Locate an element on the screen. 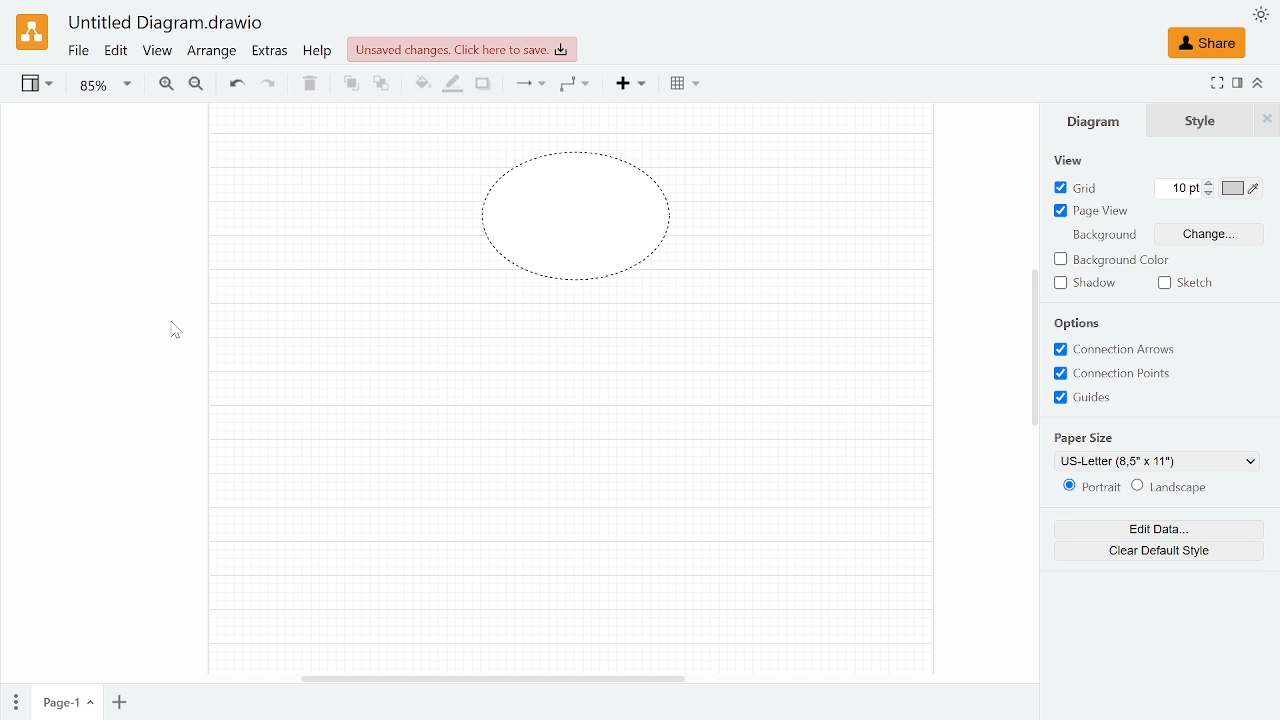 This screenshot has height=720, width=1280. Potrait is located at coordinates (1090, 486).